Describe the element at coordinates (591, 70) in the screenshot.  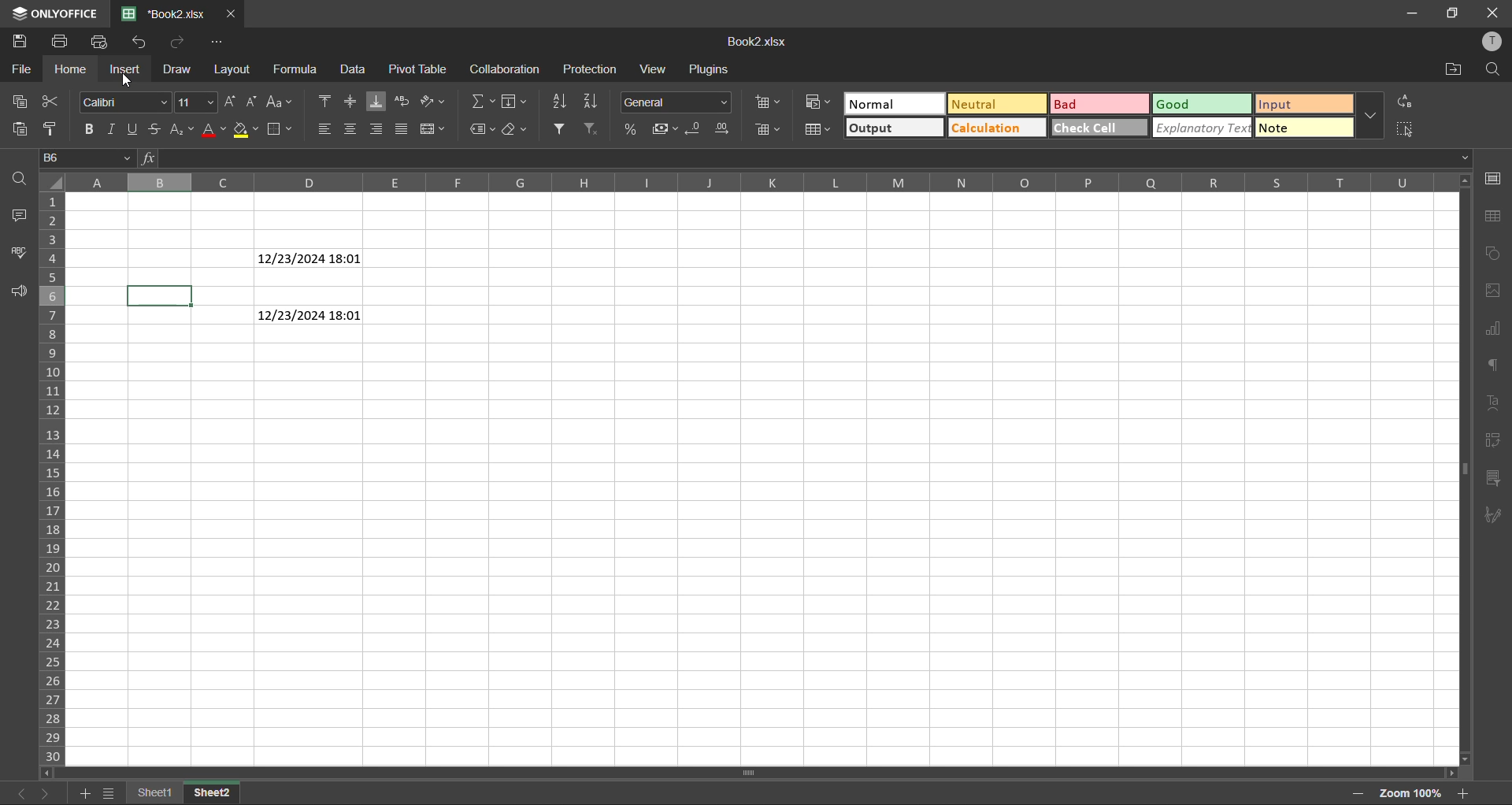
I see `protection` at that location.